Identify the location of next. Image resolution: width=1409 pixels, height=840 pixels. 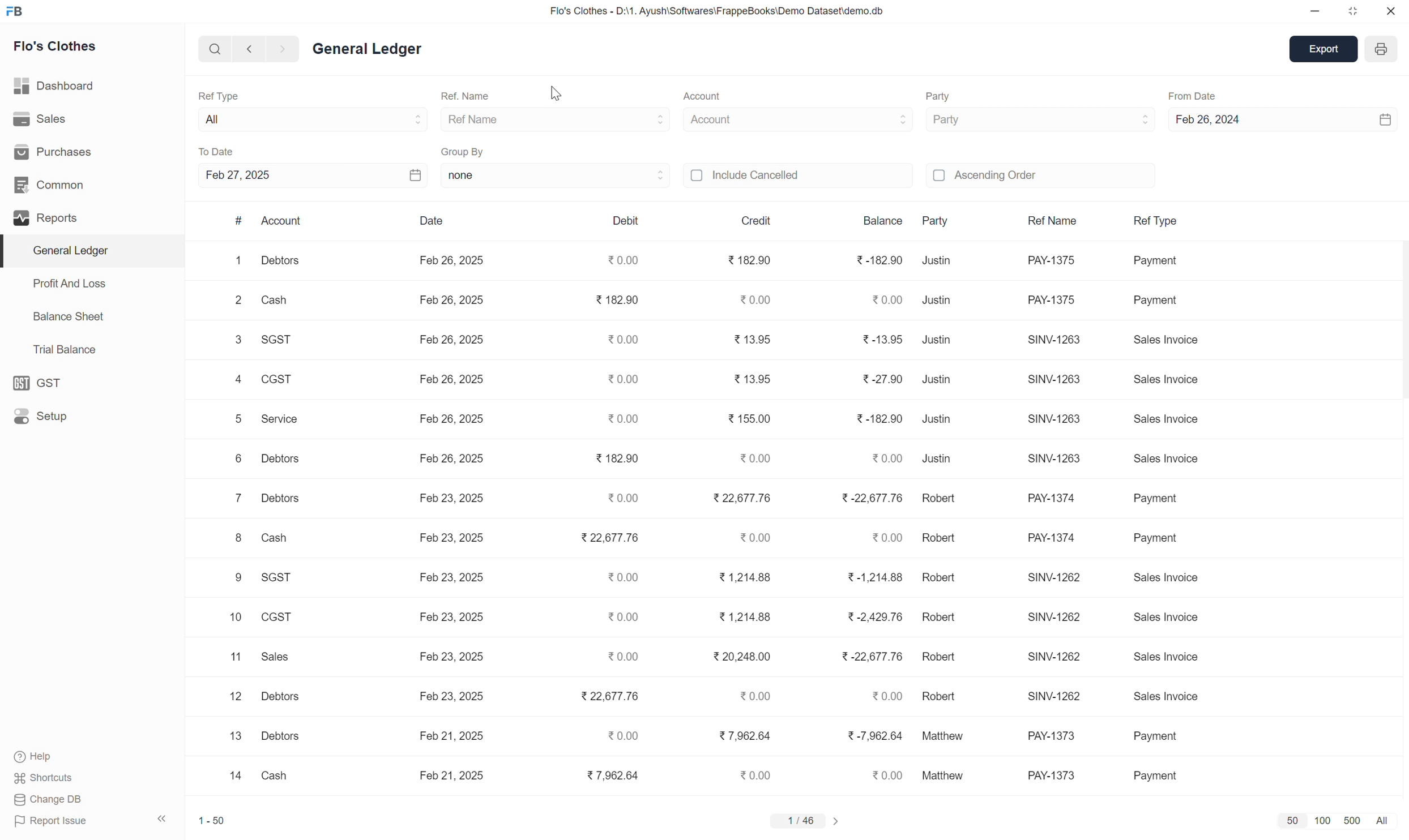
(286, 48).